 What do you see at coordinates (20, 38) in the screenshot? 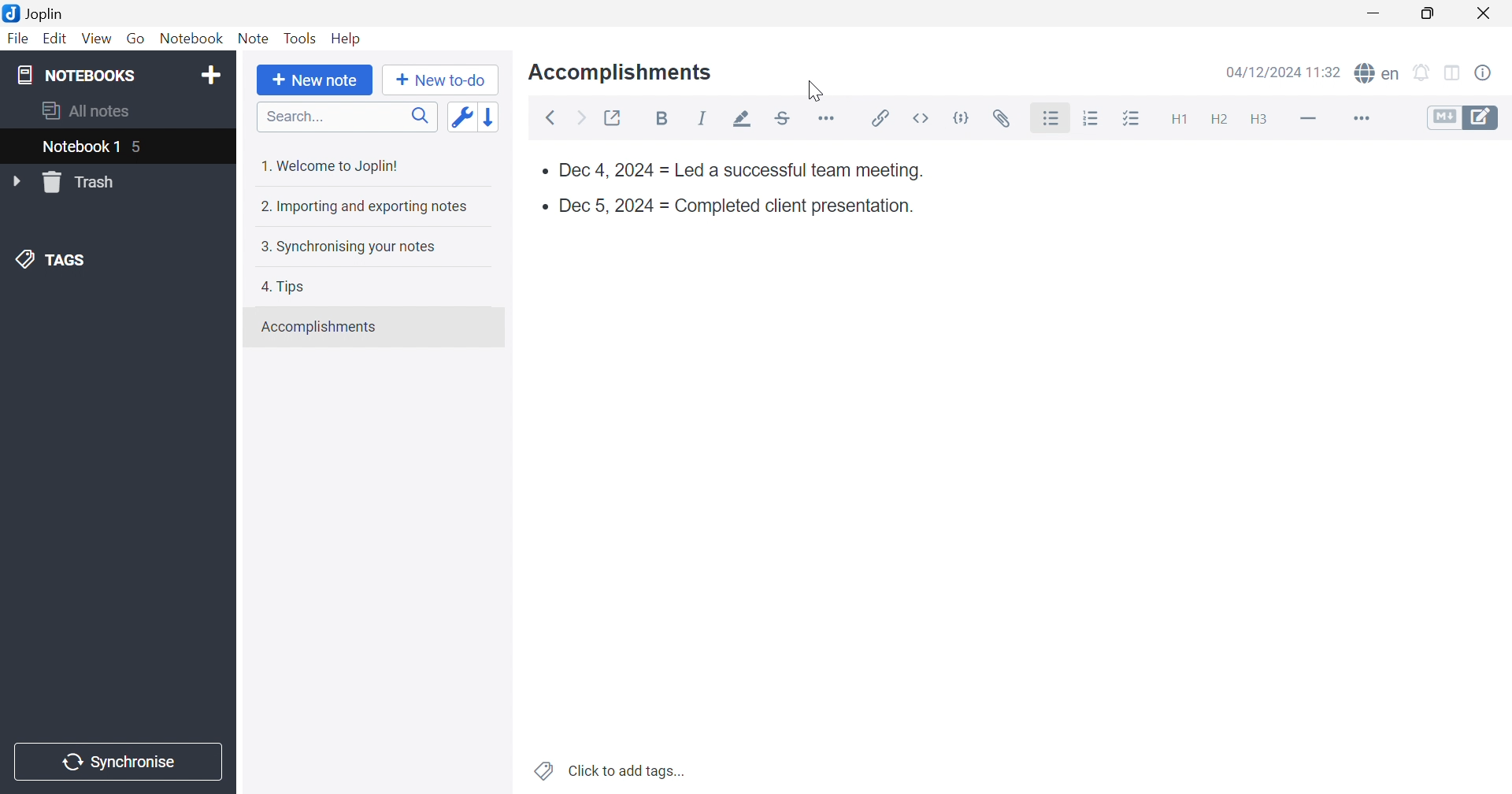
I see `File` at bounding box center [20, 38].